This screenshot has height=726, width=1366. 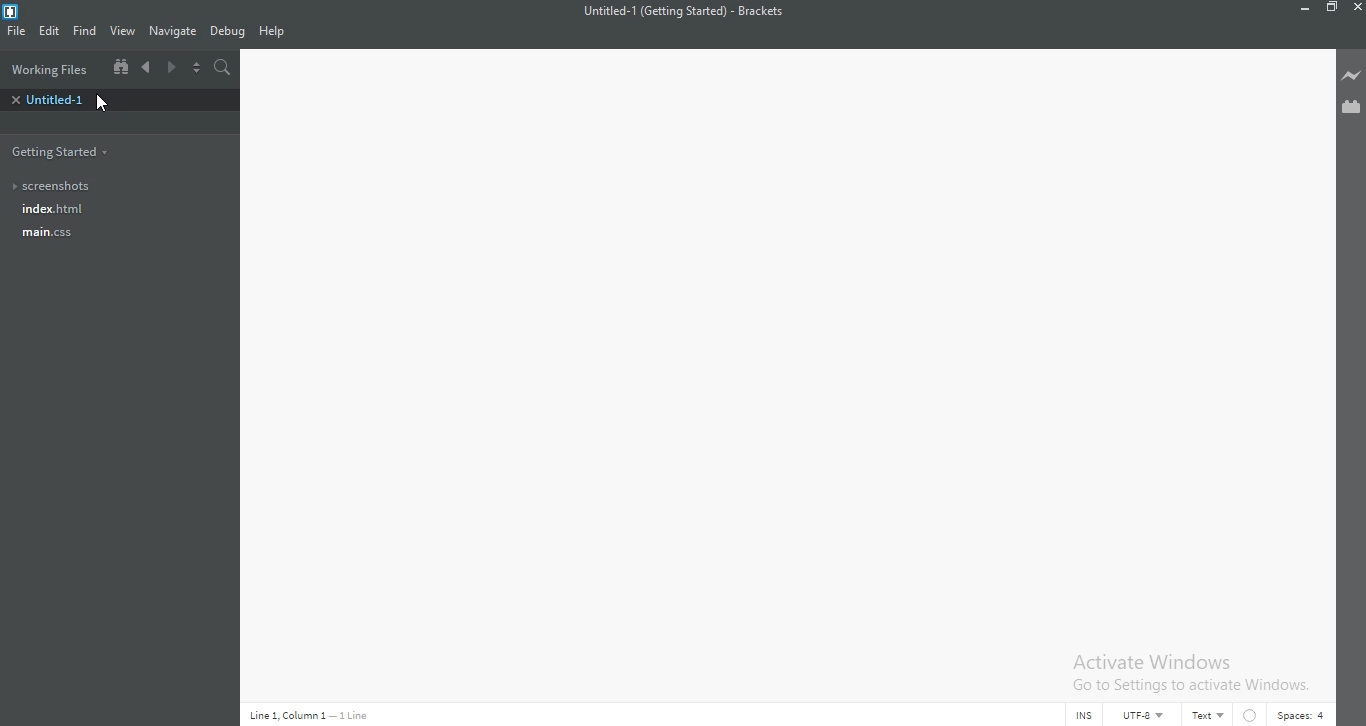 What do you see at coordinates (149, 69) in the screenshot?
I see `Previous document` at bounding box center [149, 69].